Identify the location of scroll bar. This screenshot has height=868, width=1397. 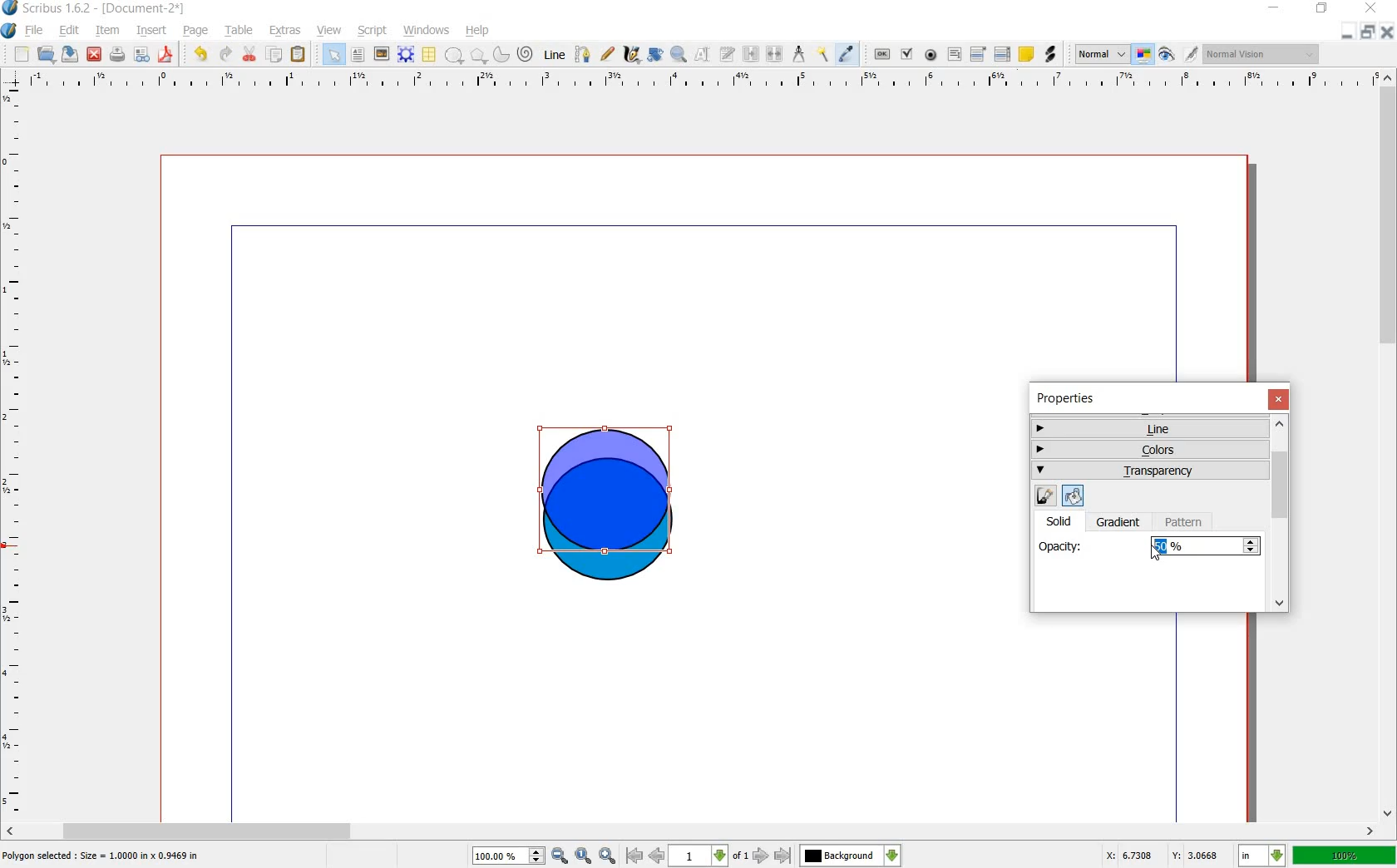
(690, 830).